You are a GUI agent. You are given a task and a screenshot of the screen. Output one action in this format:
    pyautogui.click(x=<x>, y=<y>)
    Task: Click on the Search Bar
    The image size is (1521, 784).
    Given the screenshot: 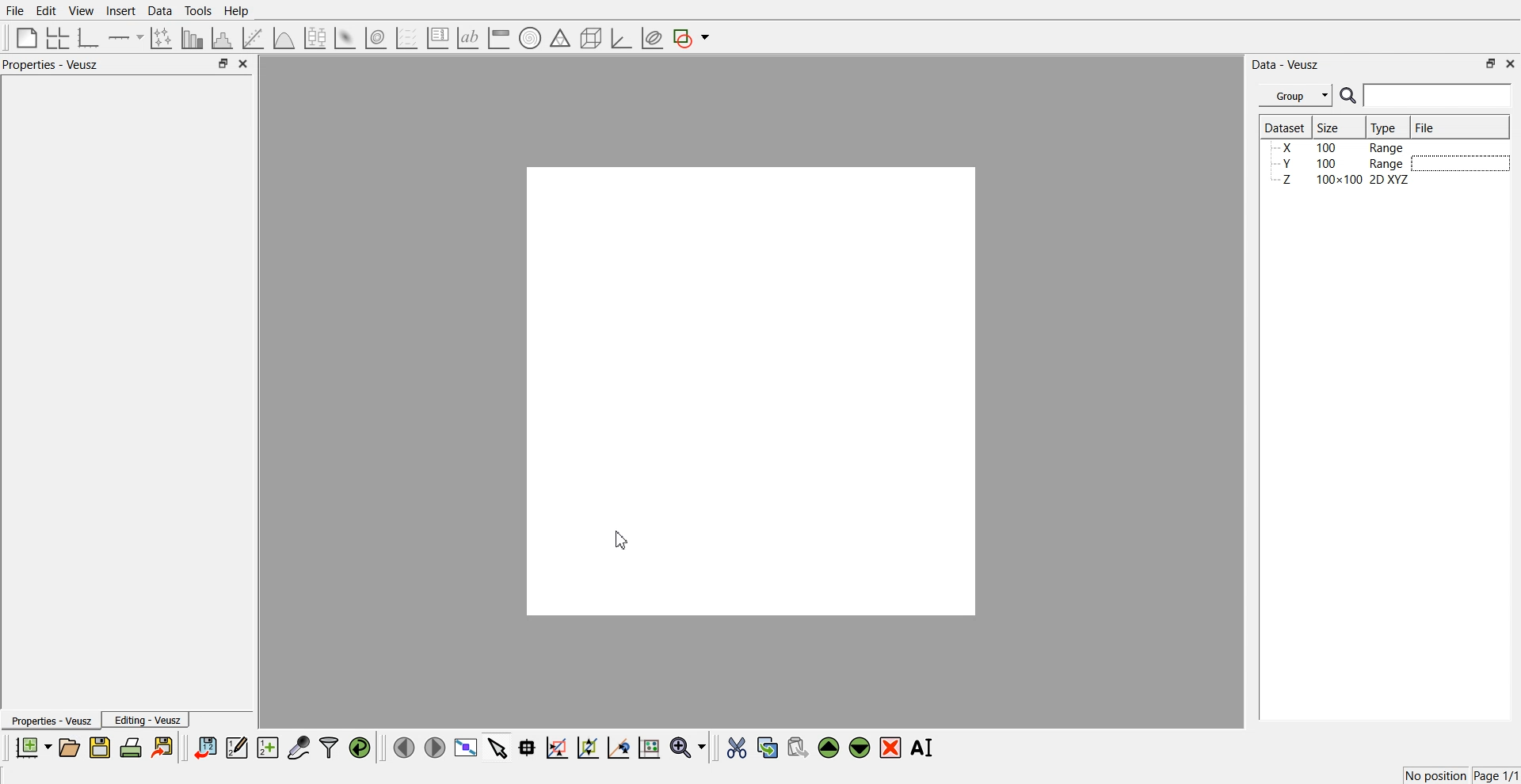 What is the action you would take?
    pyautogui.click(x=1427, y=95)
    